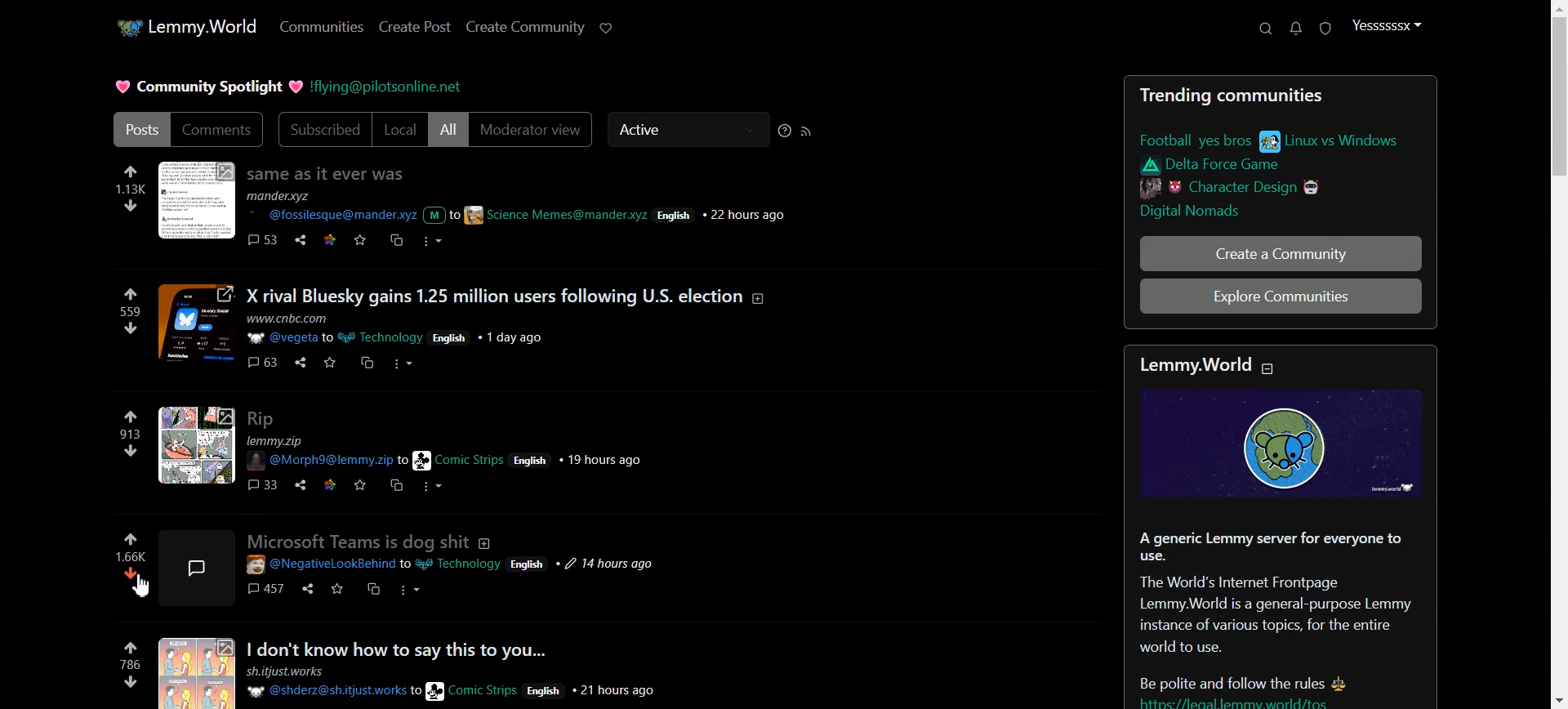 Image resolution: width=1568 pixels, height=709 pixels. I want to click on link, so click(1279, 140).